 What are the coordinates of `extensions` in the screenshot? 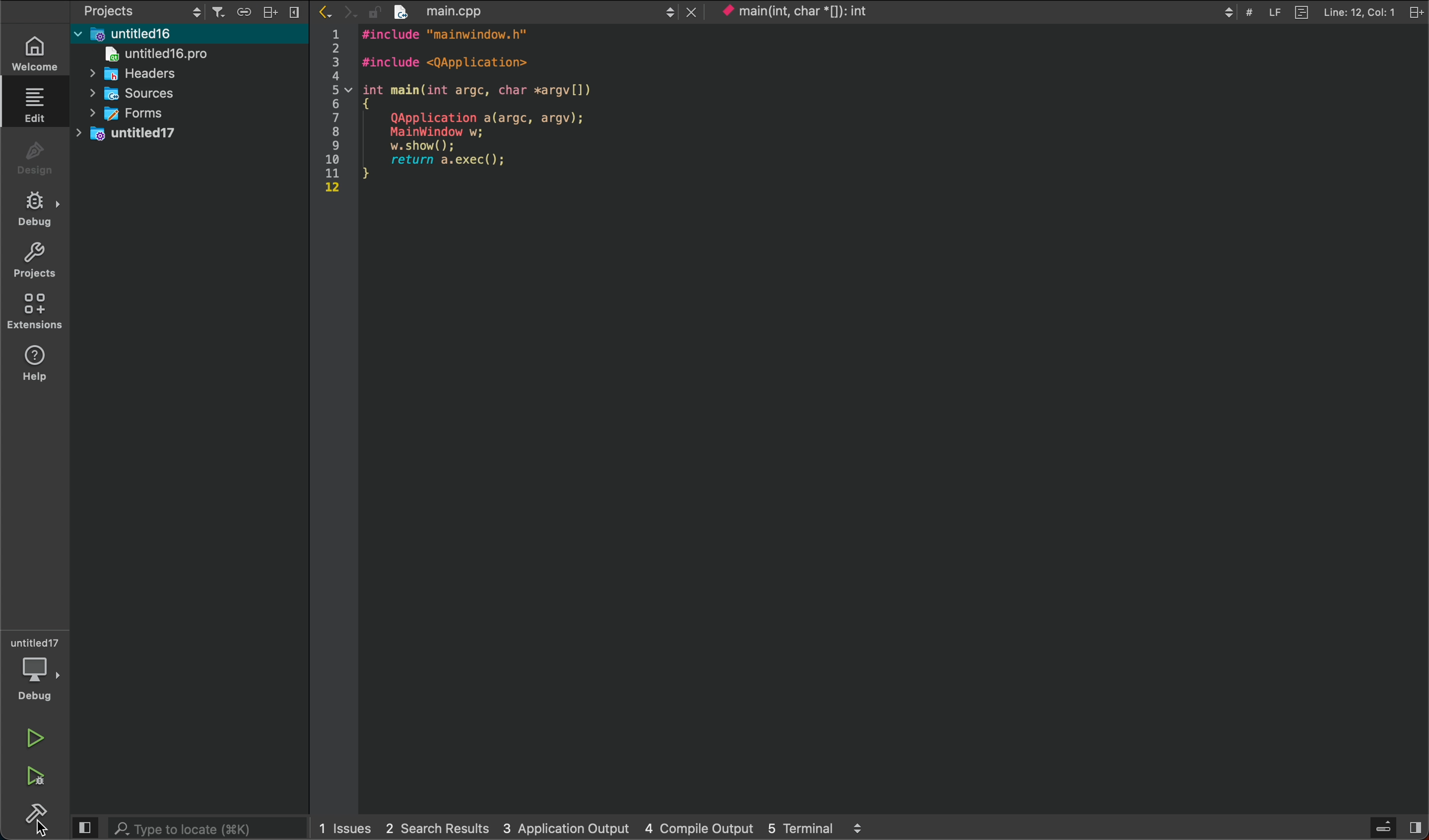 It's located at (34, 312).